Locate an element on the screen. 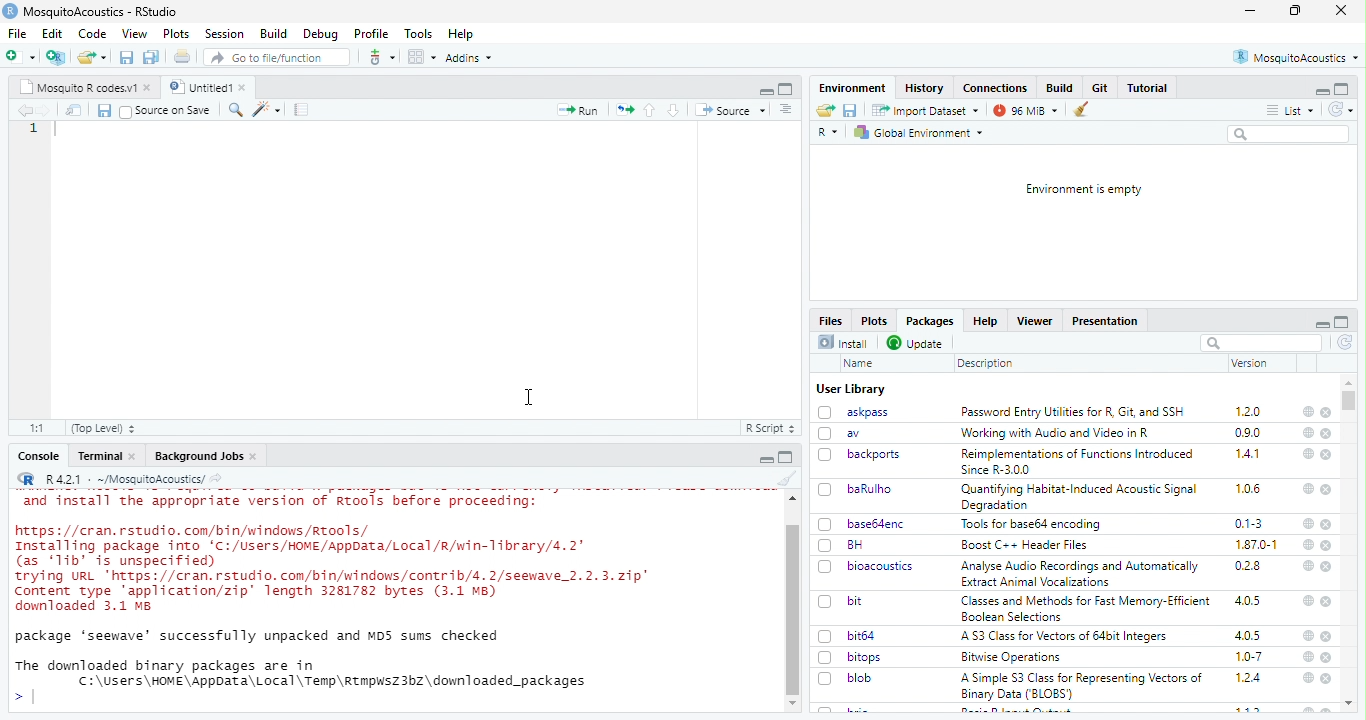  close is located at coordinates (1327, 679).